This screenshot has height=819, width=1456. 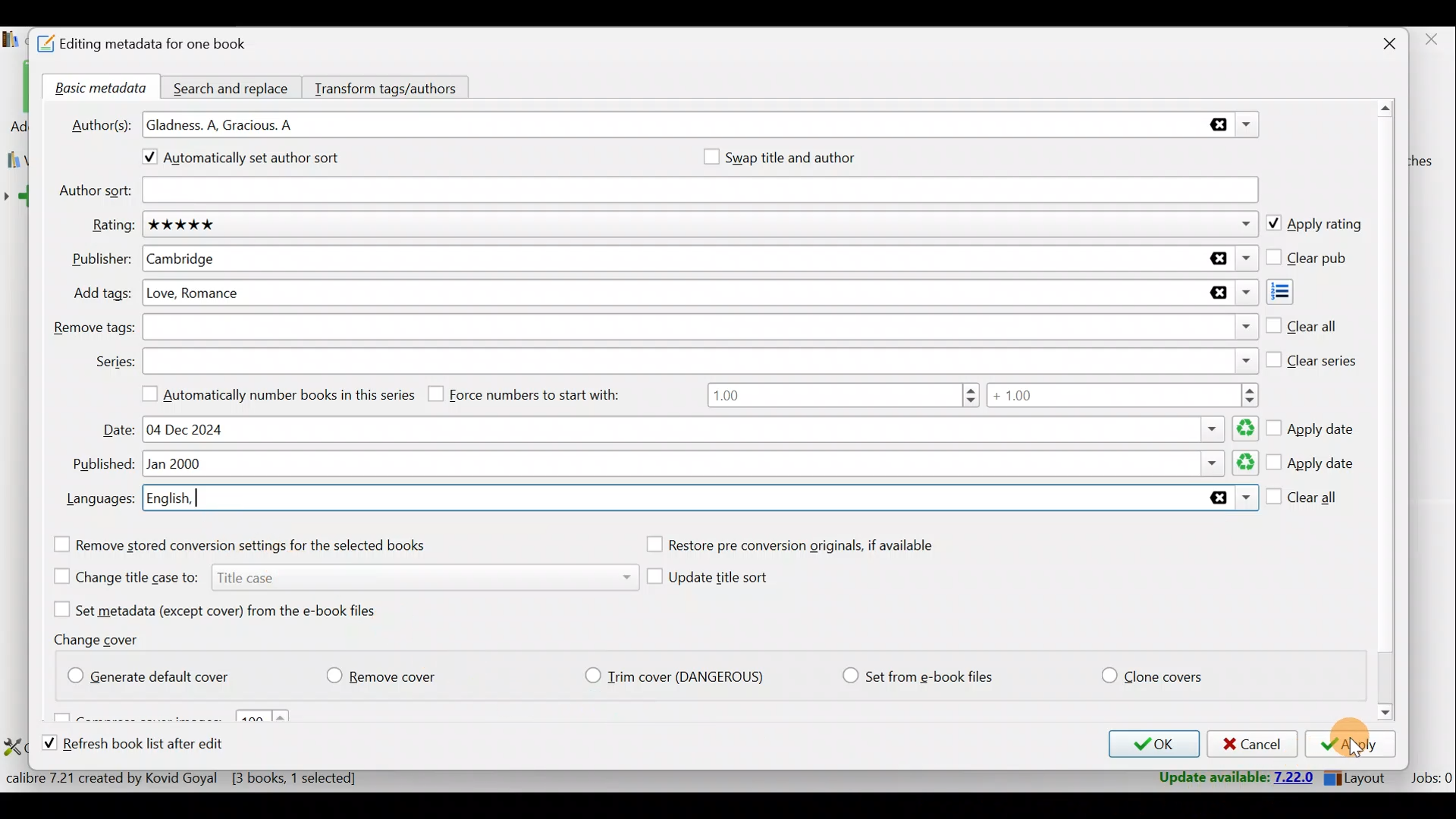 I want to click on Close, so click(x=1382, y=45).